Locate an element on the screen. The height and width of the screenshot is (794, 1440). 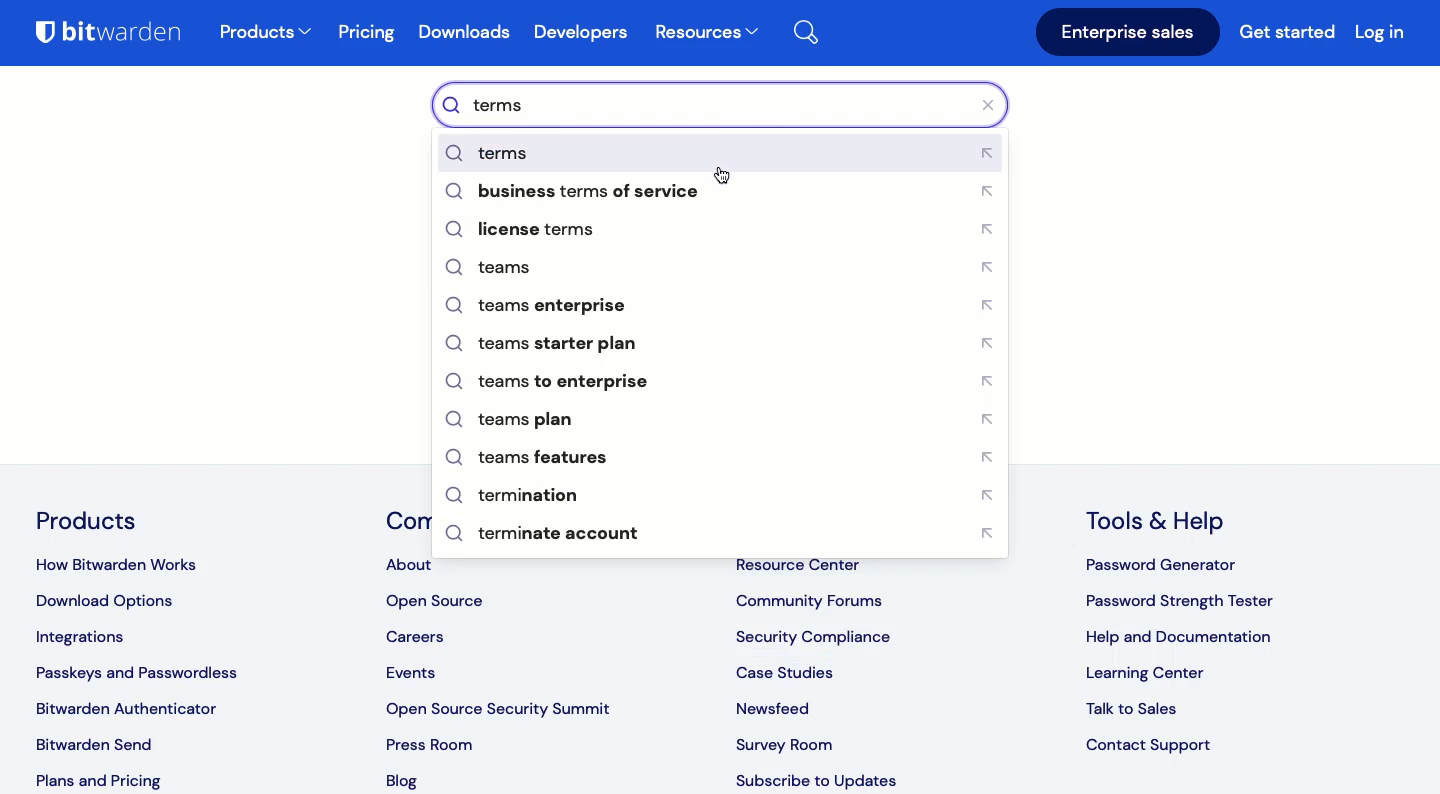
about is located at coordinates (408, 566).